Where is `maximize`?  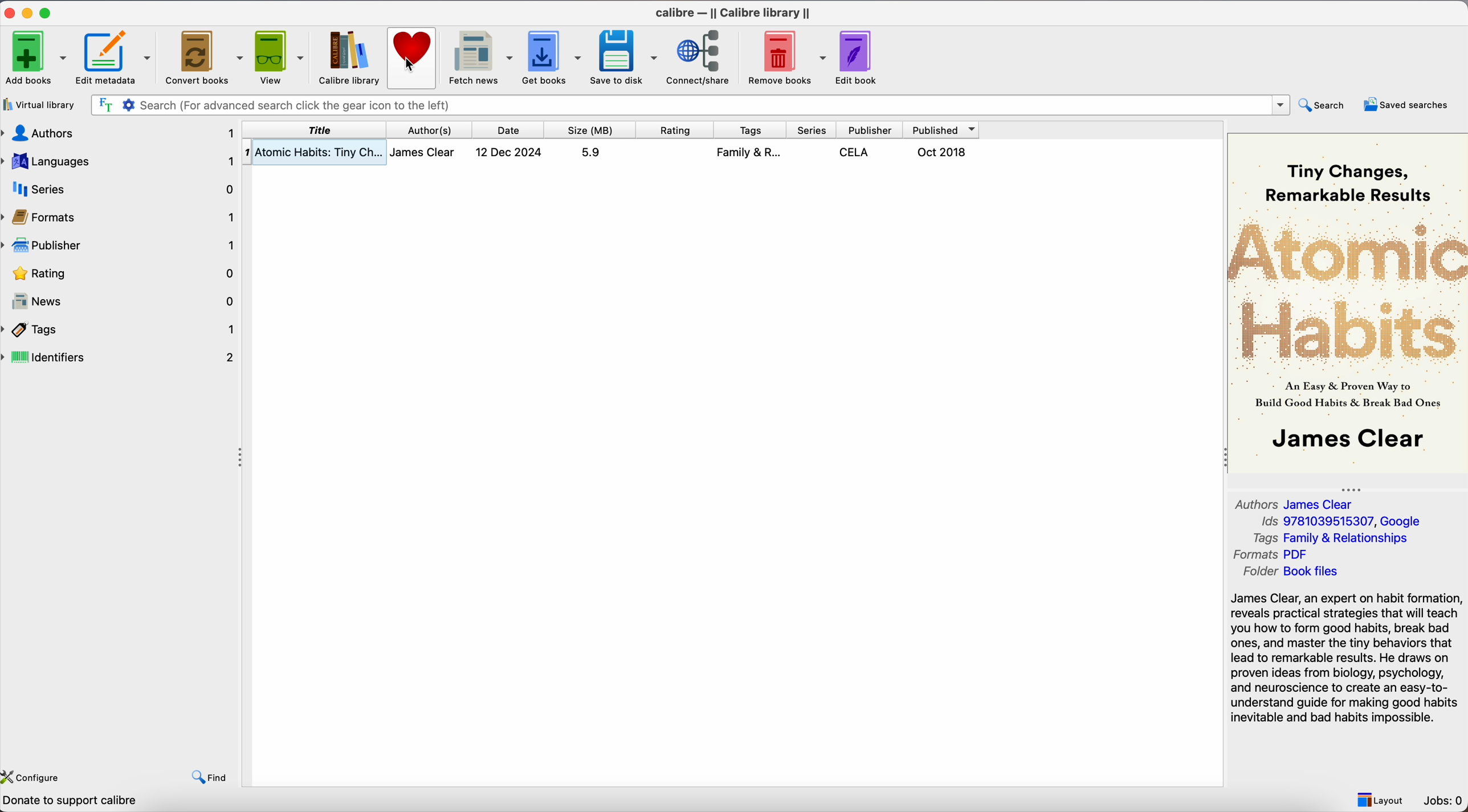 maximize is located at coordinates (48, 11).